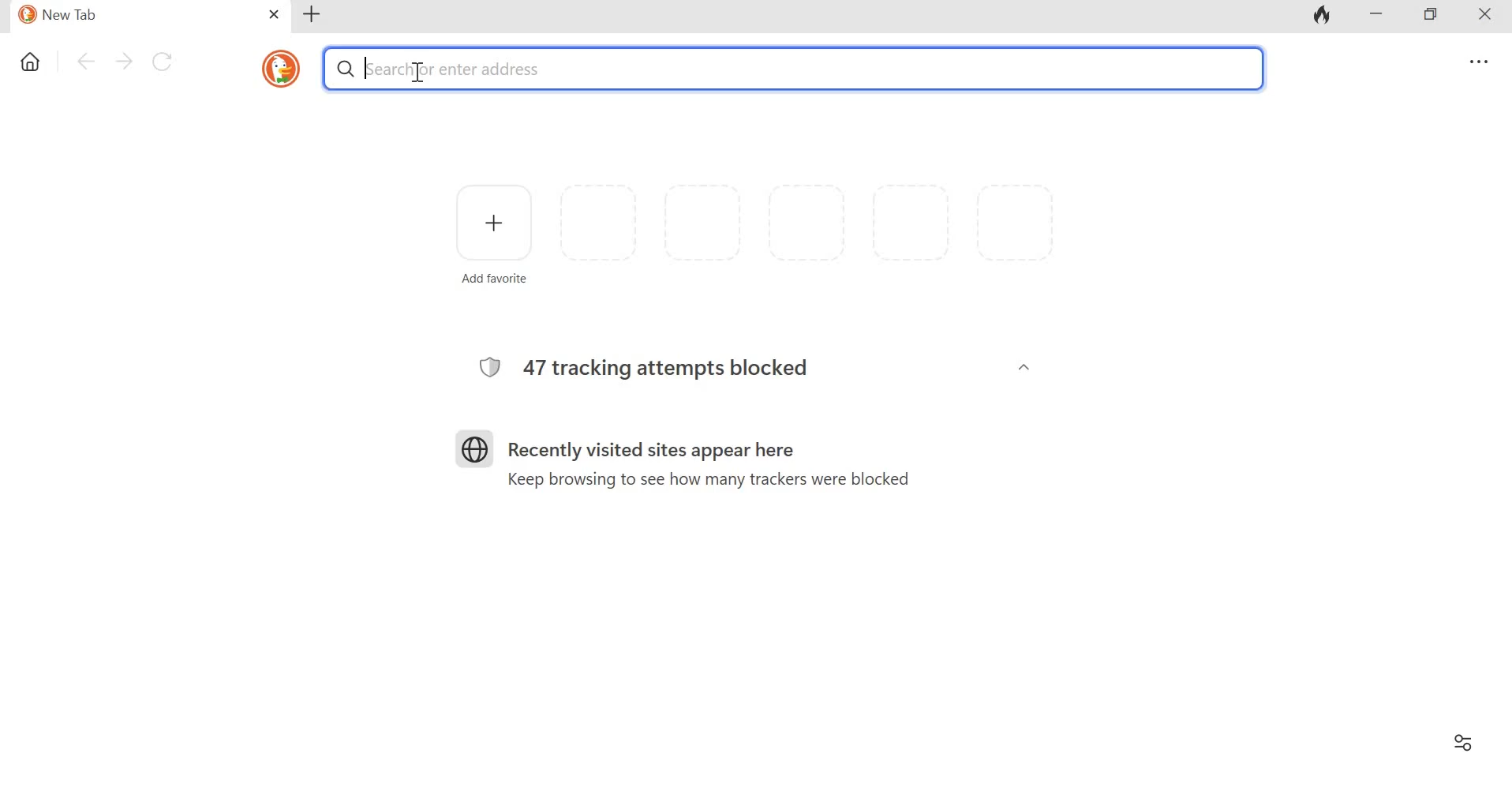 The image size is (1512, 791). I want to click on Go back one page, so click(86, 60).